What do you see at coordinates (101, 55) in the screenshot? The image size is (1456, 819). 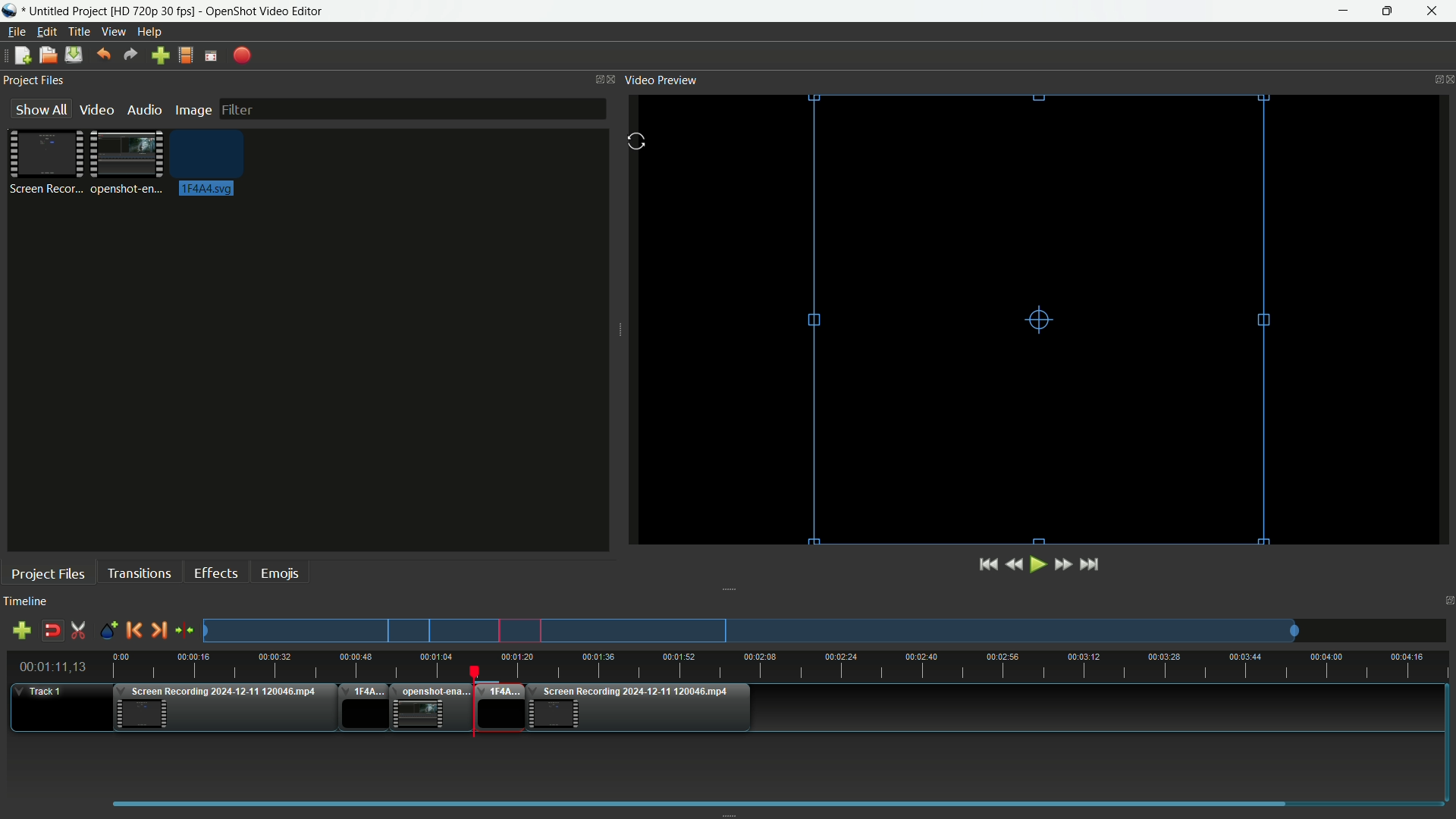 I see `Undo` at bounding box center [101, 55].